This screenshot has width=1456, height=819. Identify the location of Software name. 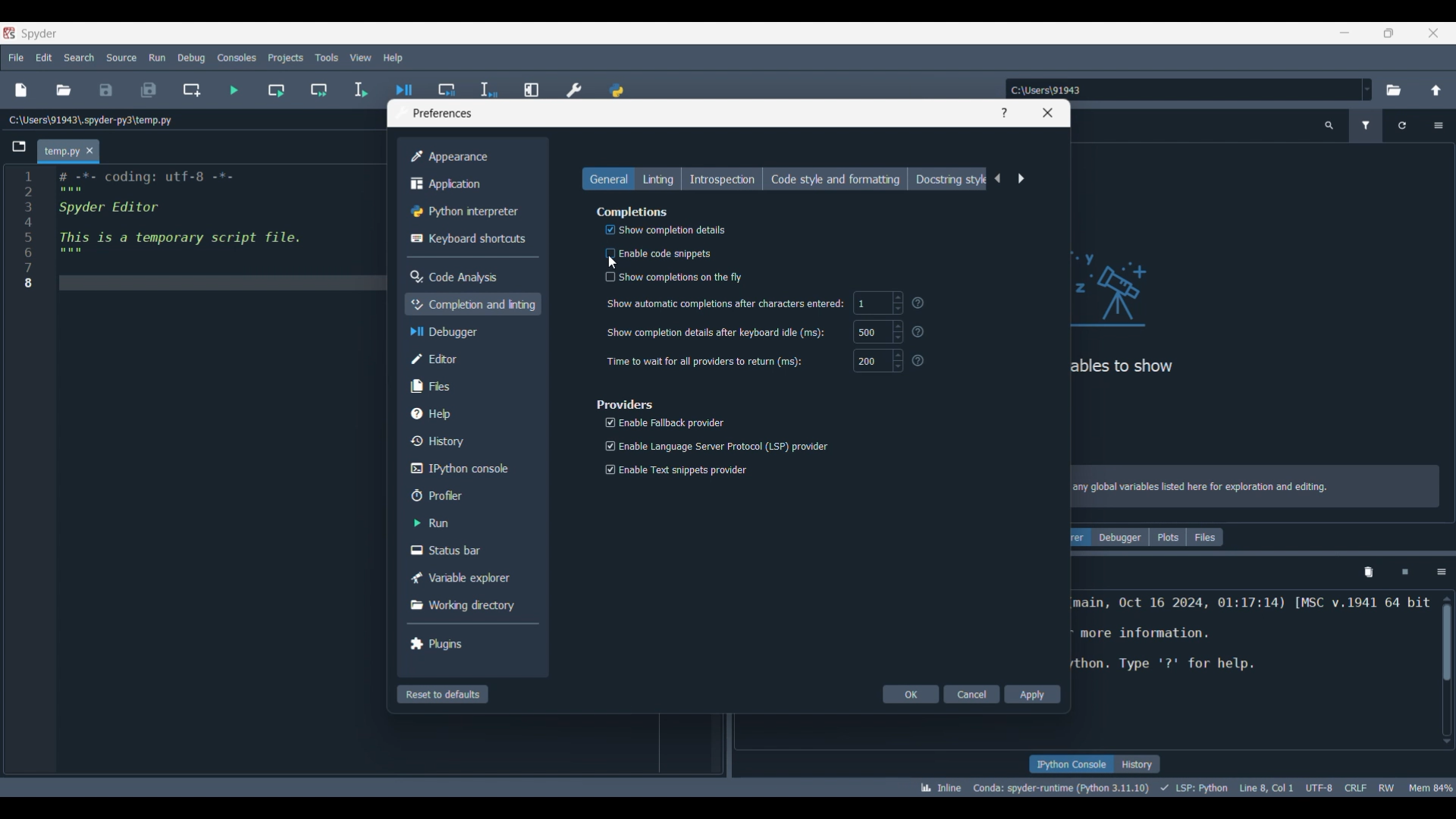
(39, 34).